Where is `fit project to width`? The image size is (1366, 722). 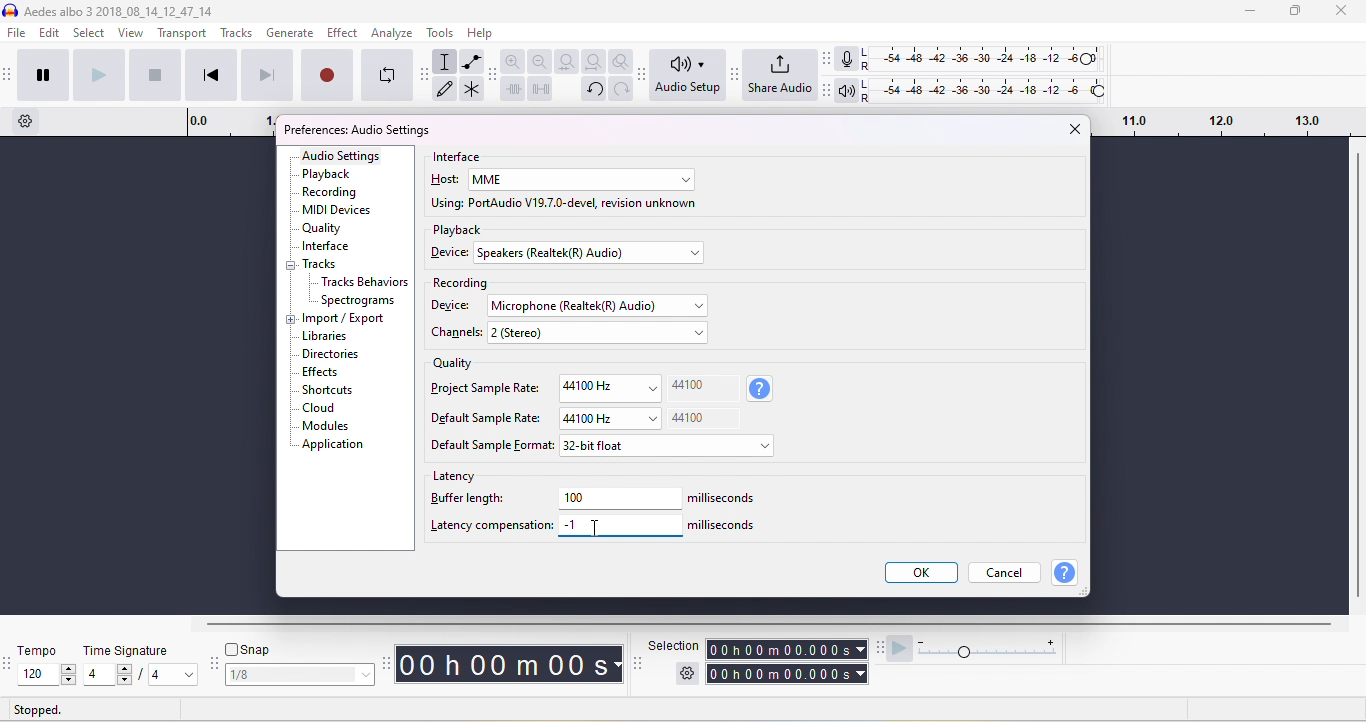 fit project to width is located at coordinates (596, 62).